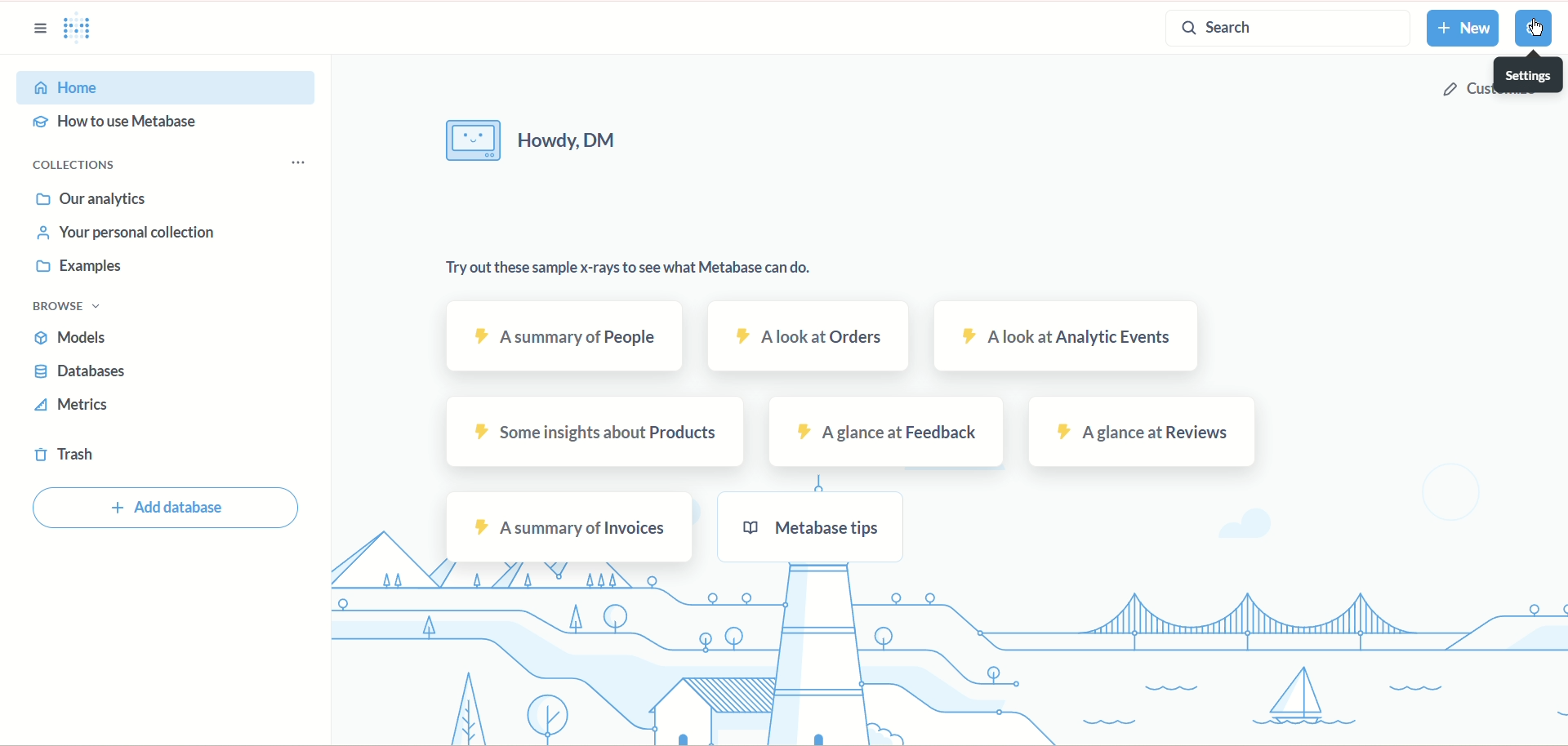 The image size is (1568, 746). What do you see at coordinates (580, 143) in the screenshot?
I see `howdy, DM` at bounding box center [580, 143].